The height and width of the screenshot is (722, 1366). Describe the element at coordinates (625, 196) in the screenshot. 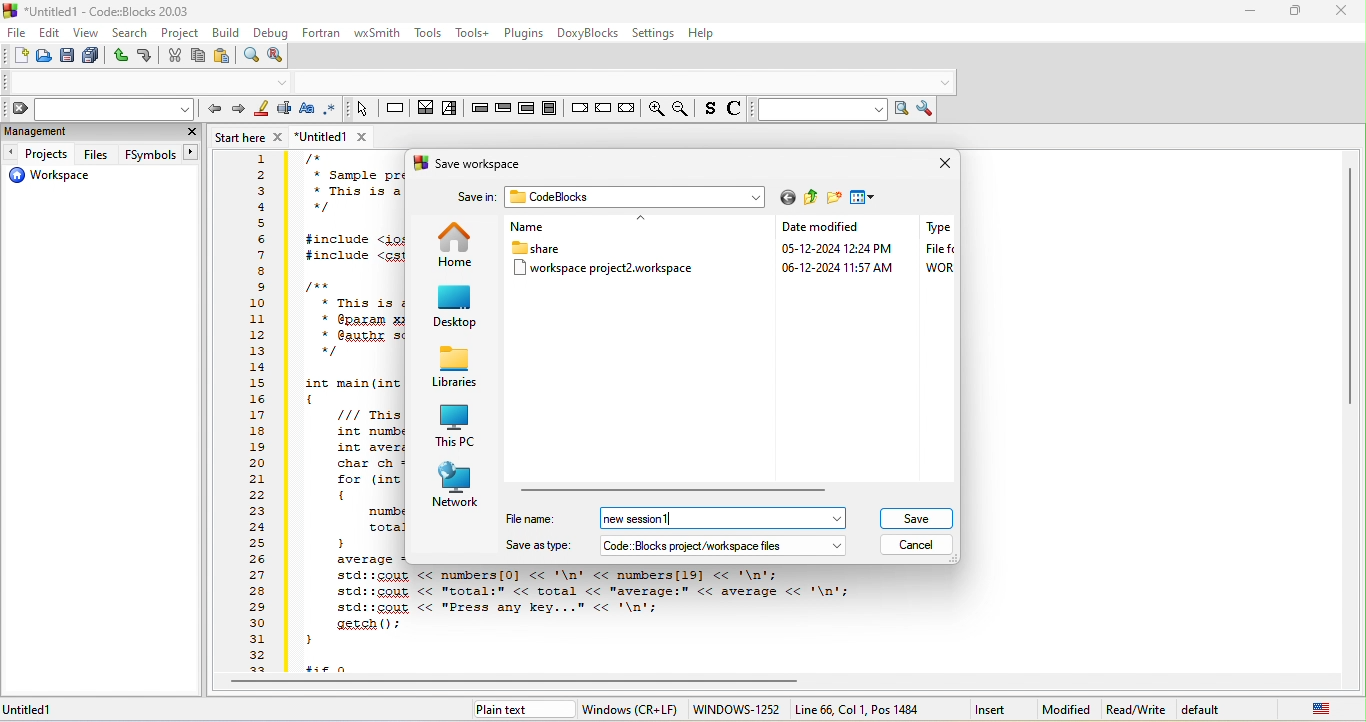

I see `codeblocks` at that location.